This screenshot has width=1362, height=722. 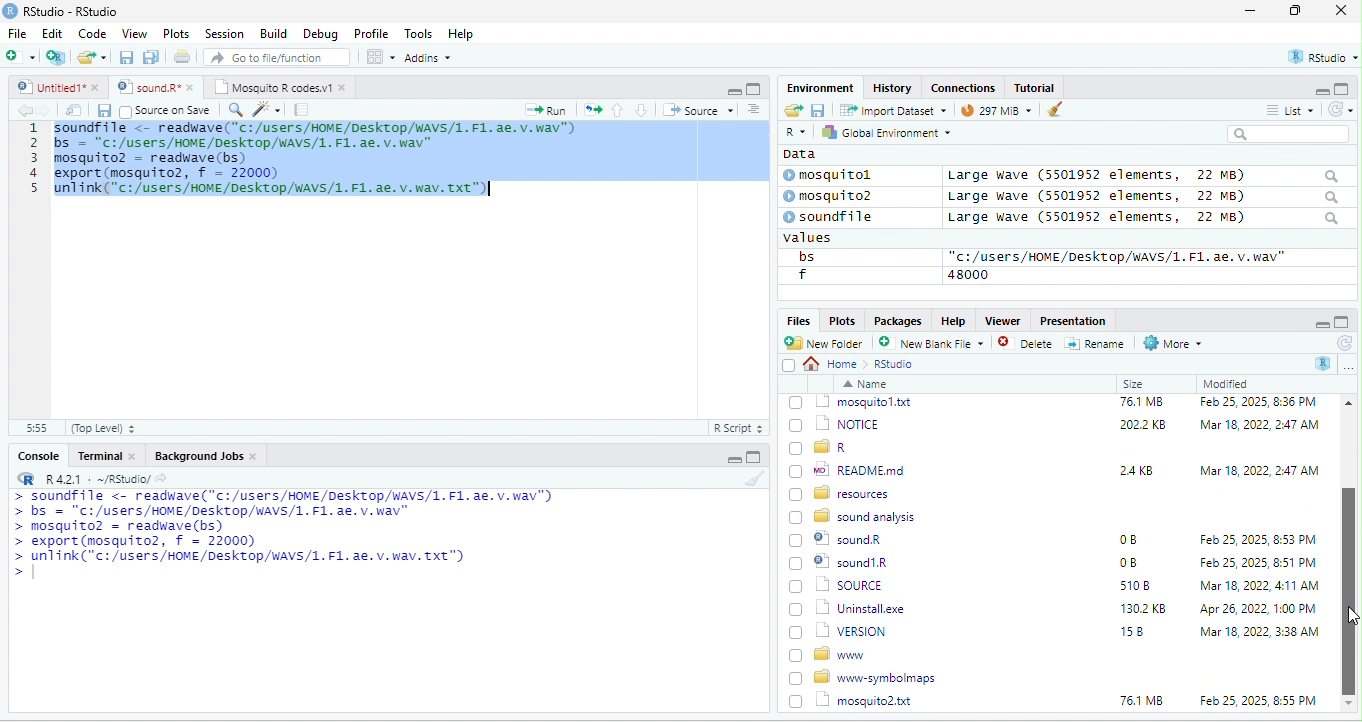 I want to click on RStudio, so click(x=64, y=10).